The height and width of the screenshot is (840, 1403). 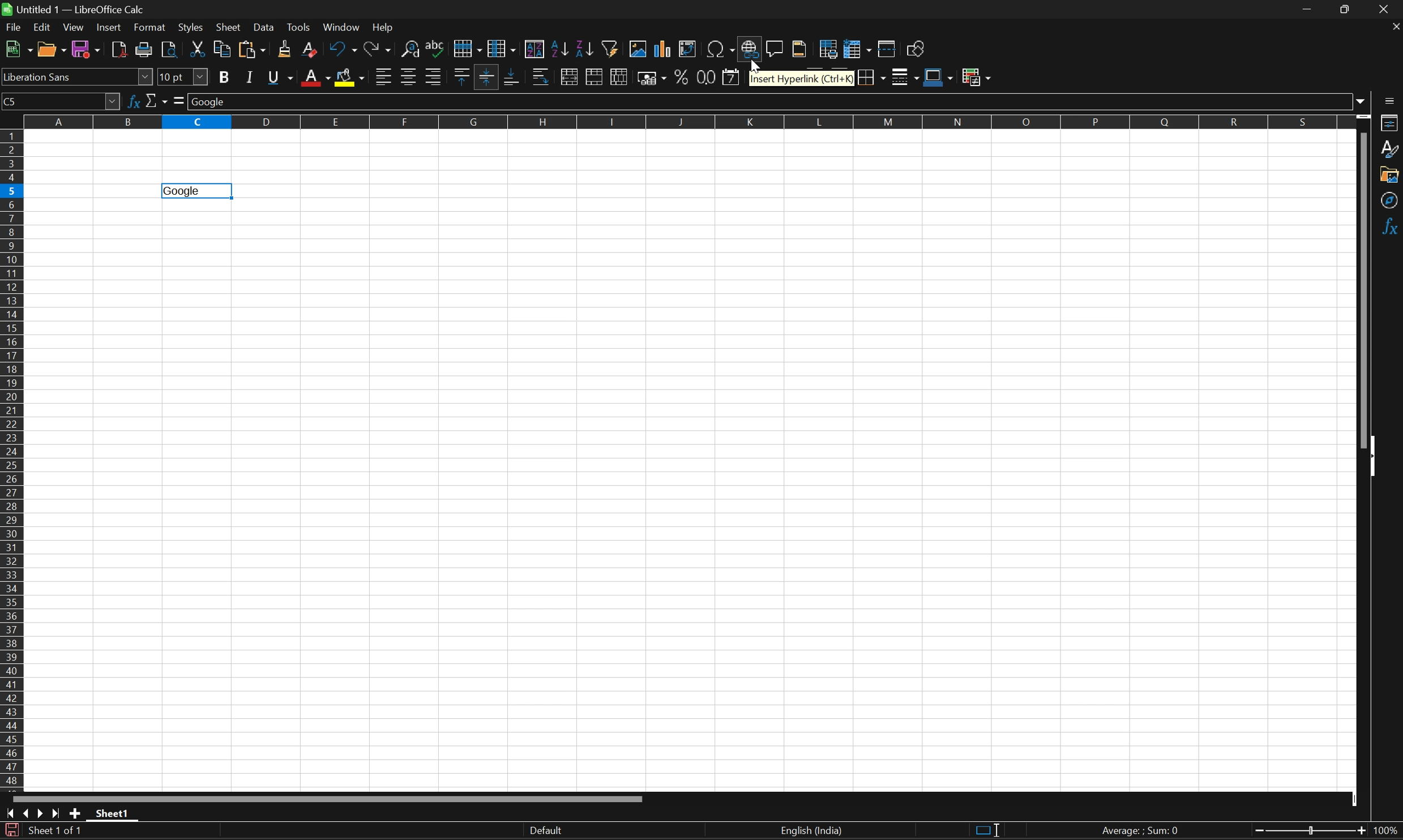 I want to click on Format, so click(x=151, y=27).